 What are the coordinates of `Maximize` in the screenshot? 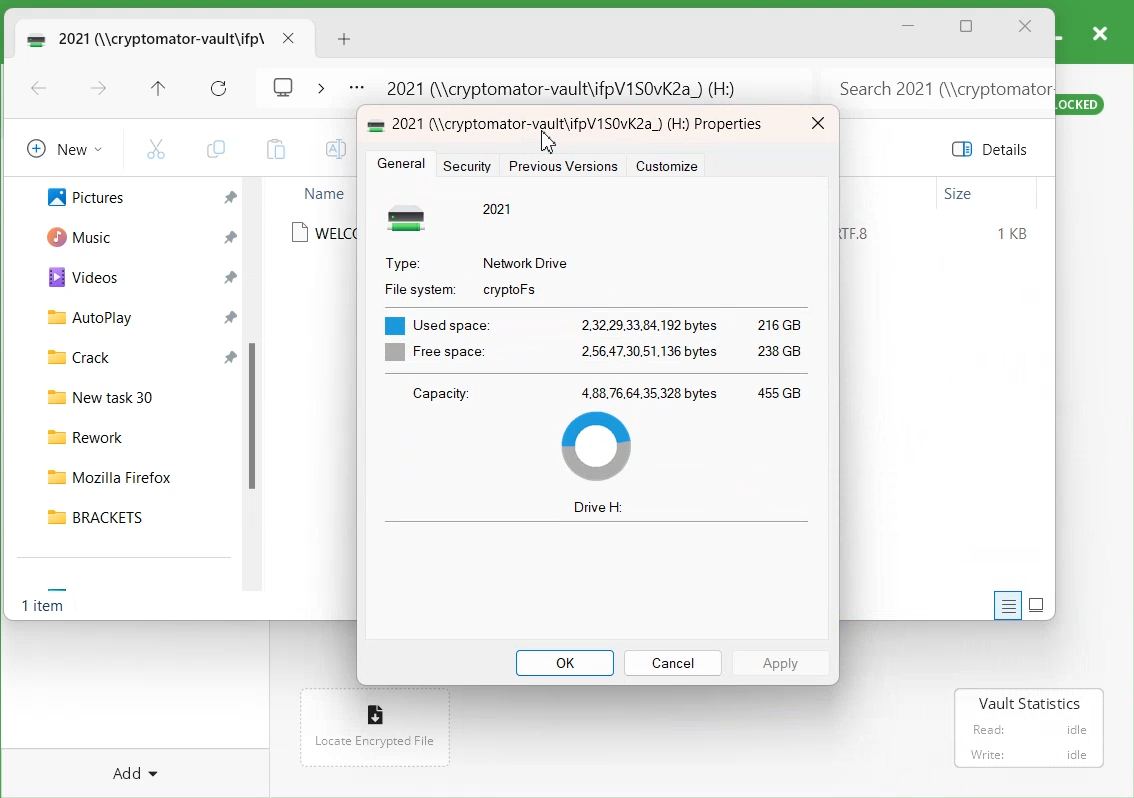 It's located at (967, 28).